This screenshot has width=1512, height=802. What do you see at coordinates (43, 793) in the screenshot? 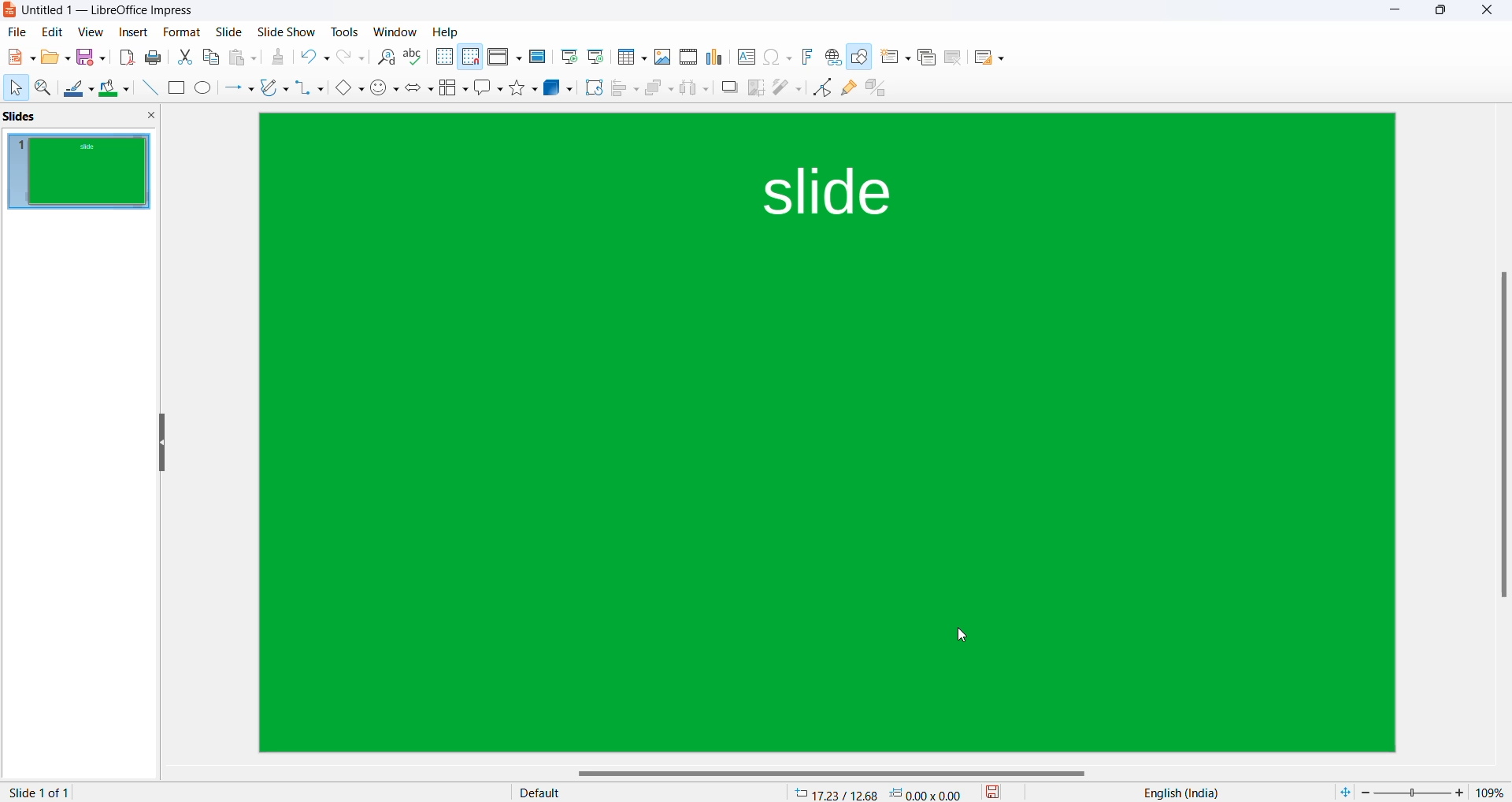
I see `current slide and slide number` at bounding box center [43, 793].